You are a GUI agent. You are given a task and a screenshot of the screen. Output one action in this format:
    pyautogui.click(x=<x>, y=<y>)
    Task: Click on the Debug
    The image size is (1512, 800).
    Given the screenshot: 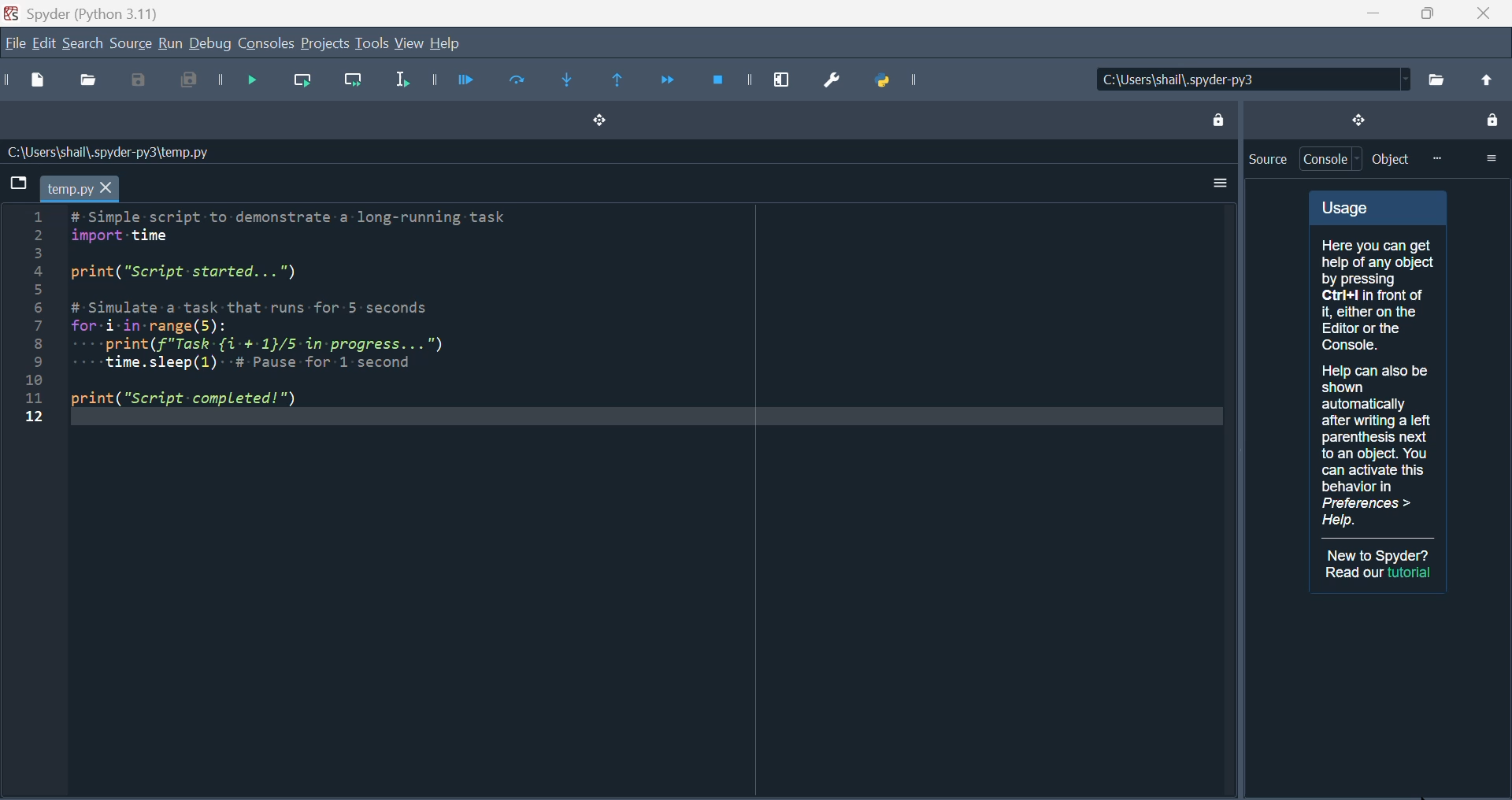 What is the action you would take?
    pyautogui.click(x=211, y=45)
    